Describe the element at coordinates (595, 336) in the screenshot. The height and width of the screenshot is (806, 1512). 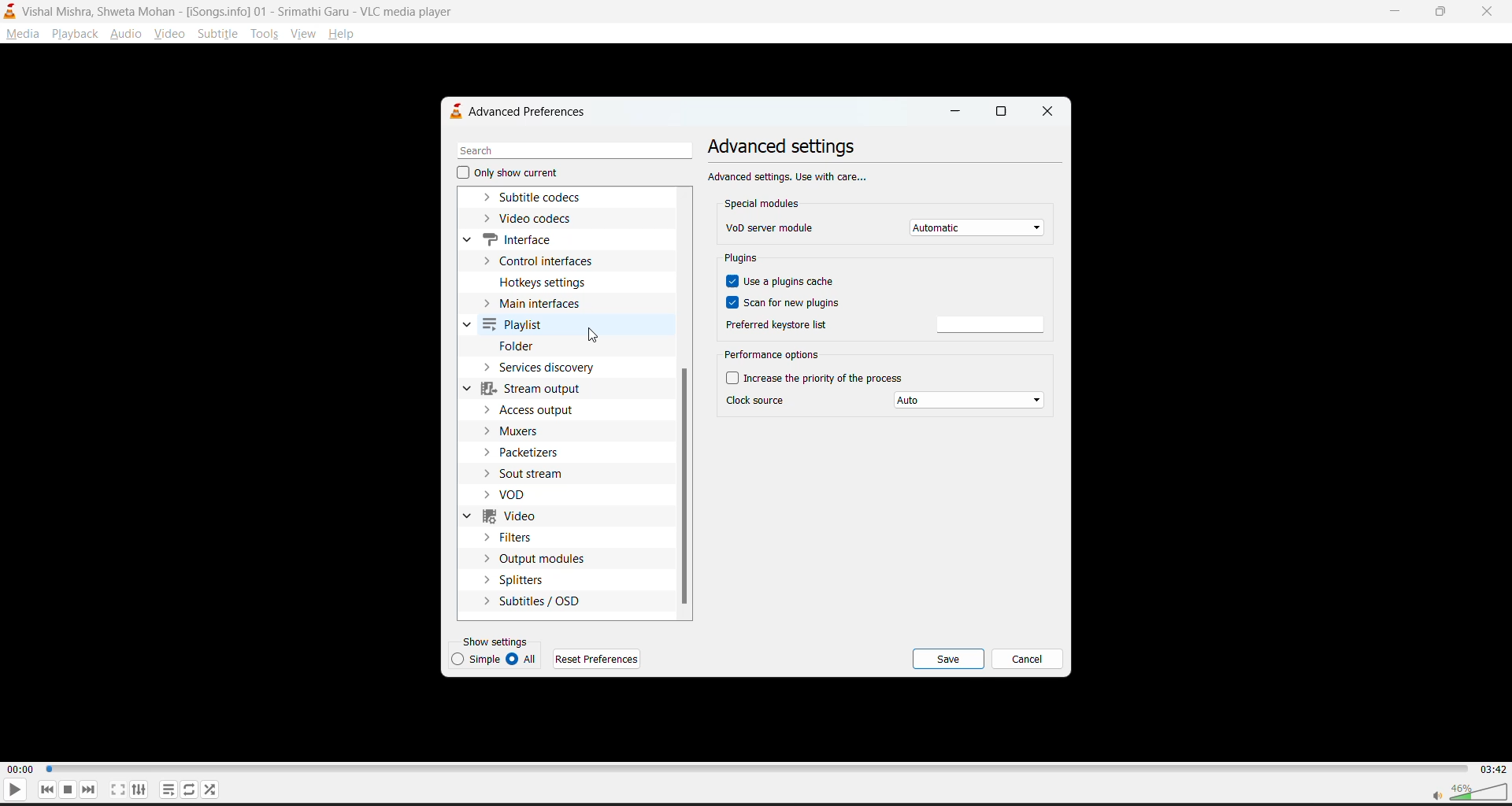
I see `cursor` at that location.